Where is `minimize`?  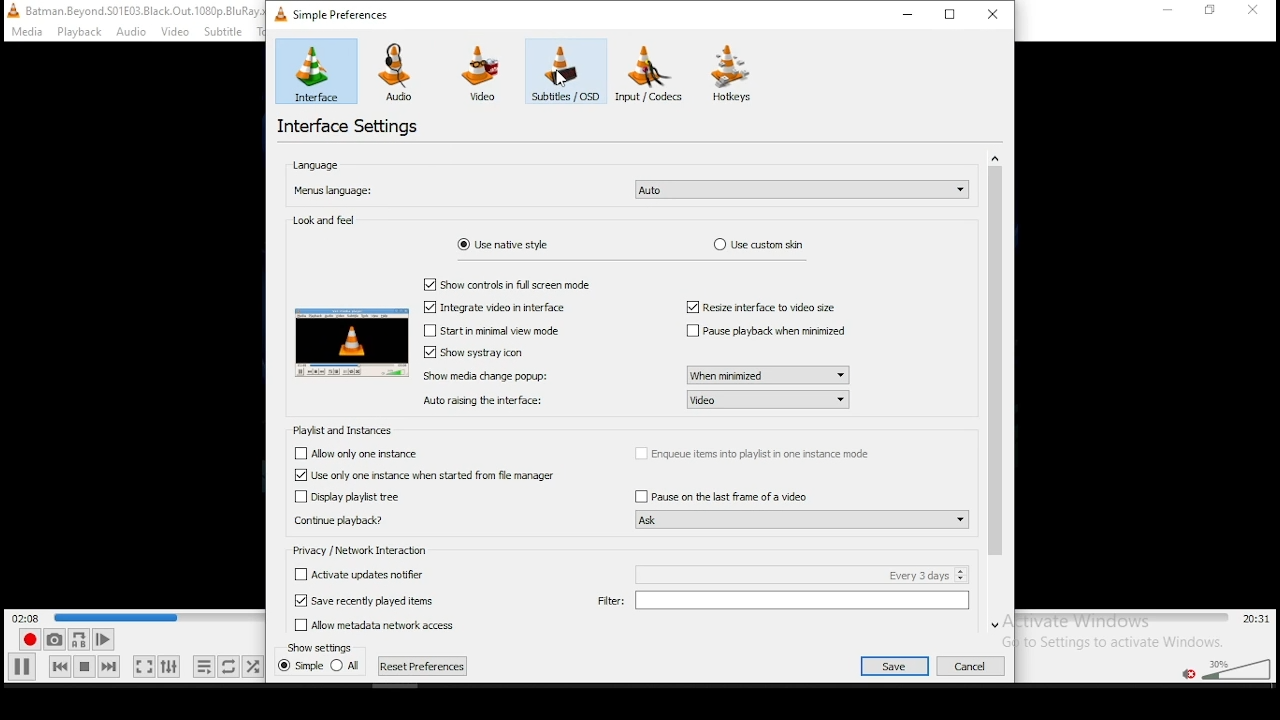 minimize is located at coordinates (912, 14).